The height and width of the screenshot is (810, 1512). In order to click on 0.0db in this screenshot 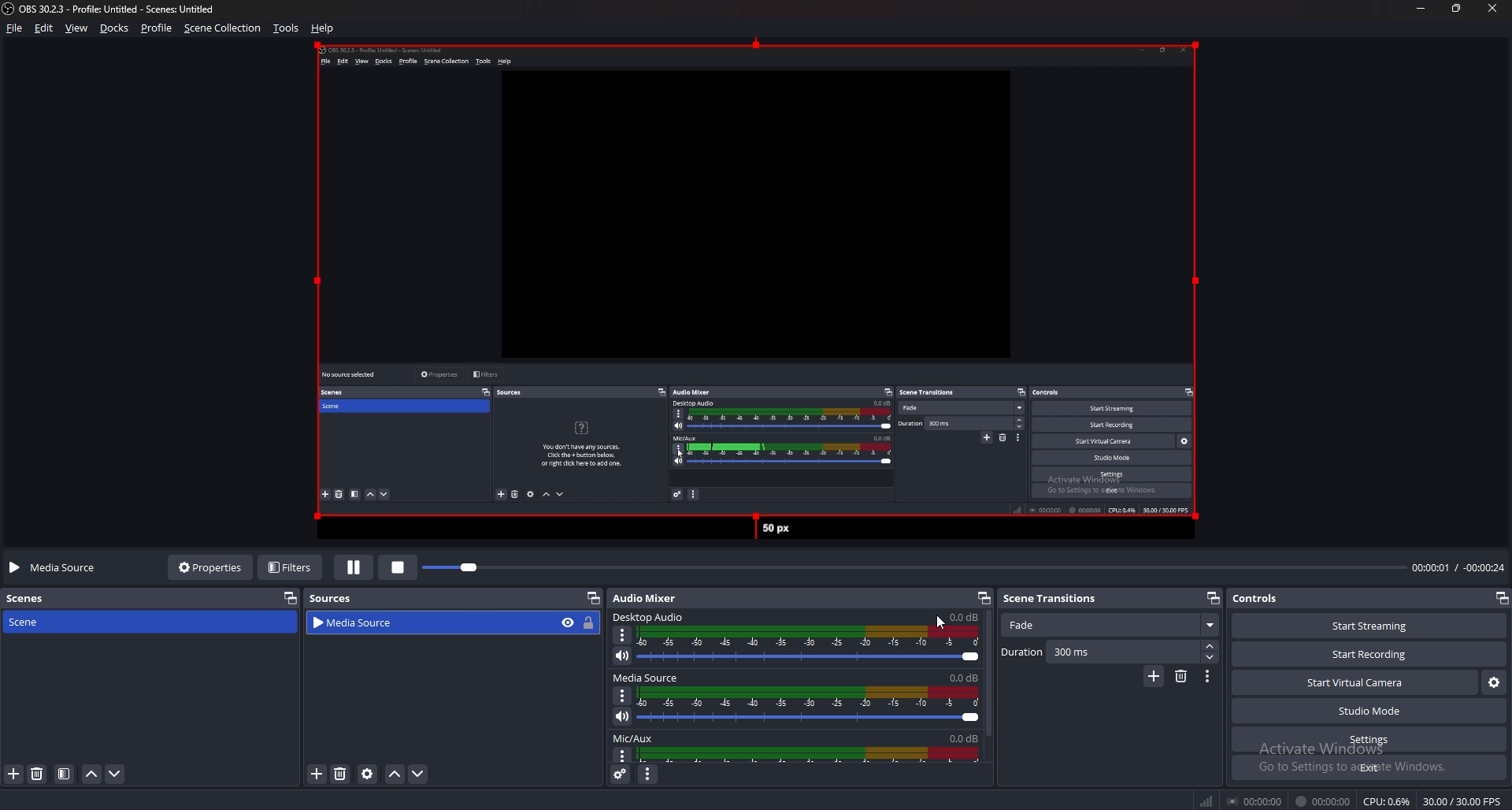, I will do `click(966, 676)`.